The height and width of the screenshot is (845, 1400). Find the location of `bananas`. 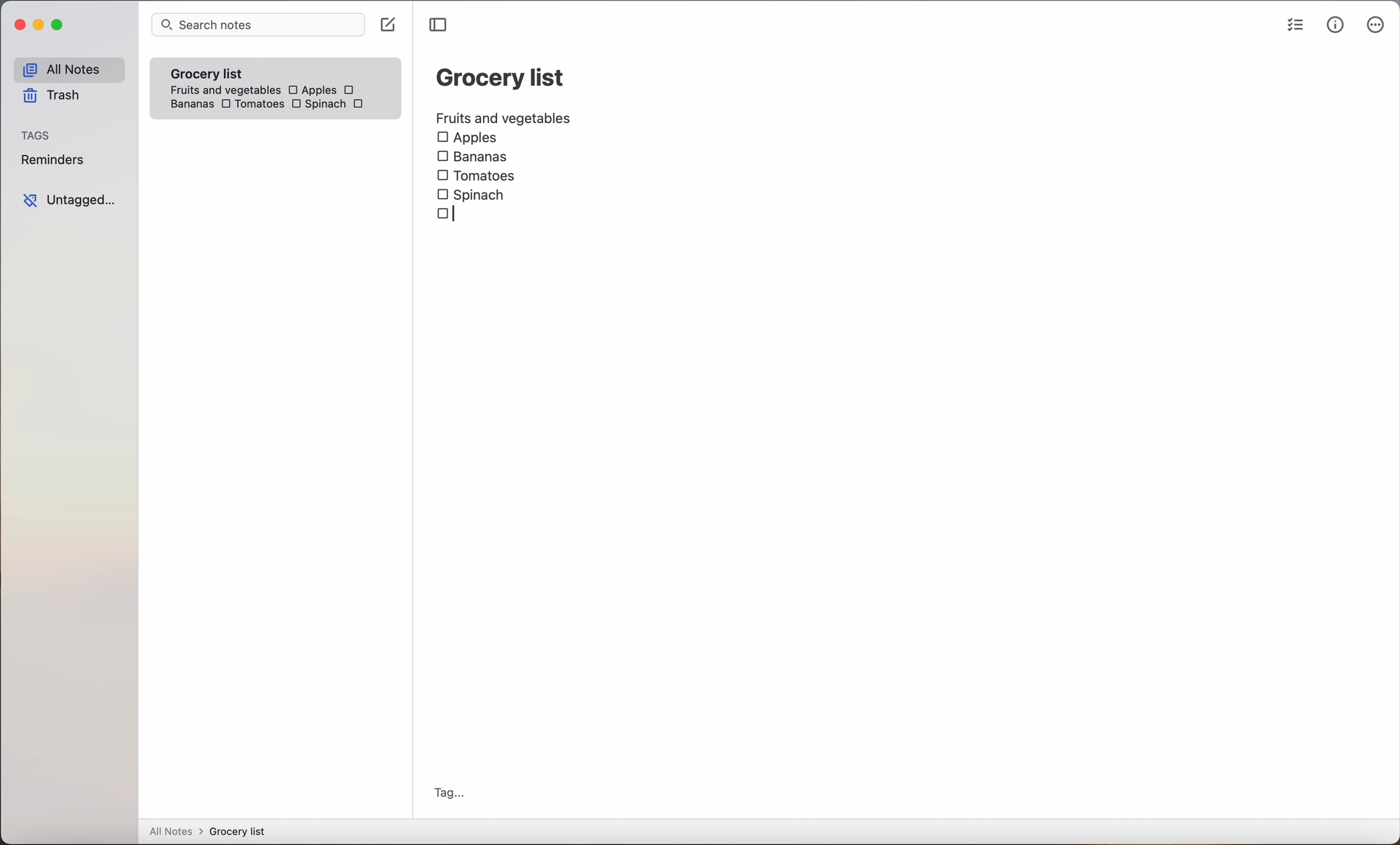

bananas is located at coordinates (190, 104).